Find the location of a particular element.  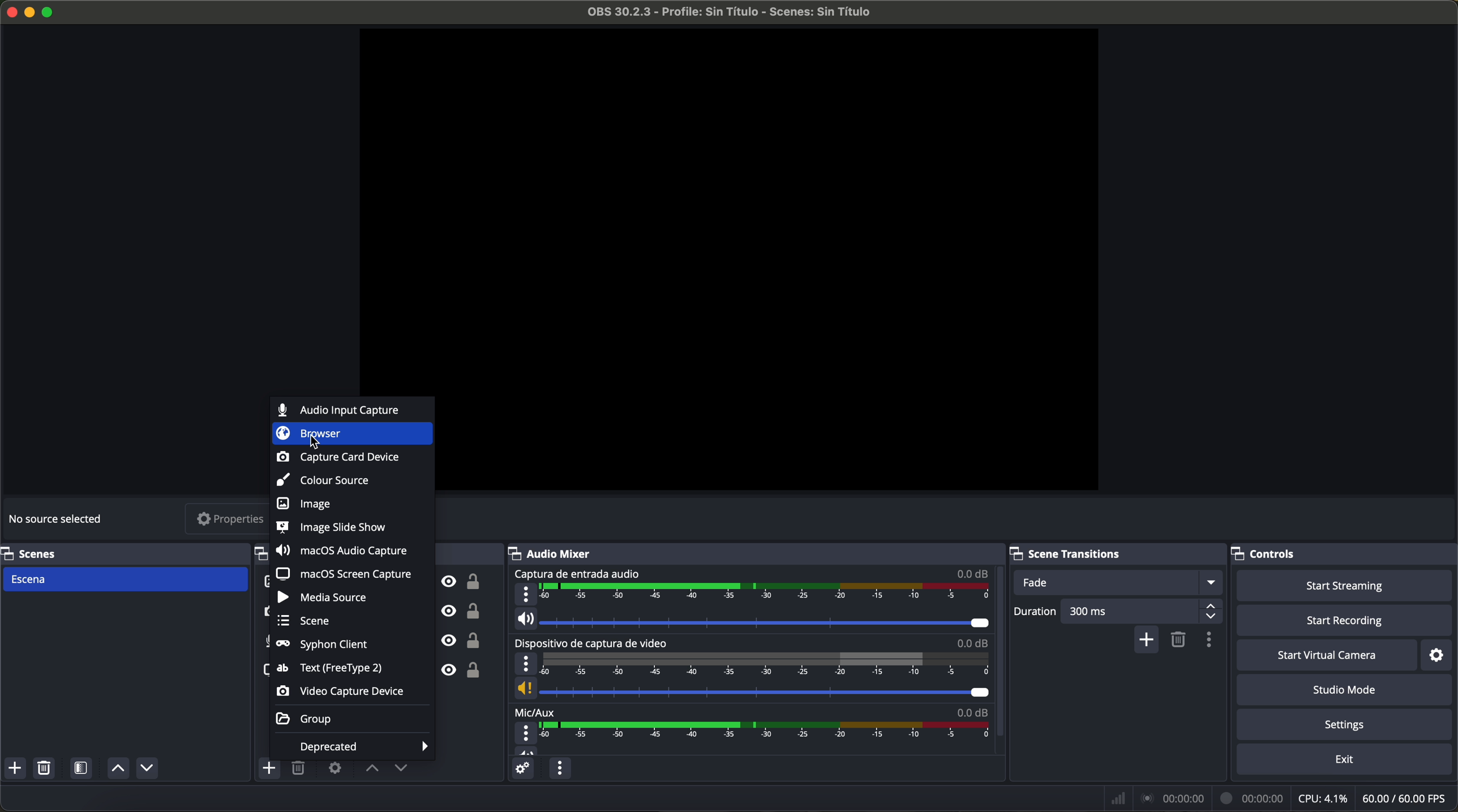

start recording is located at coordinates (1345, 622).